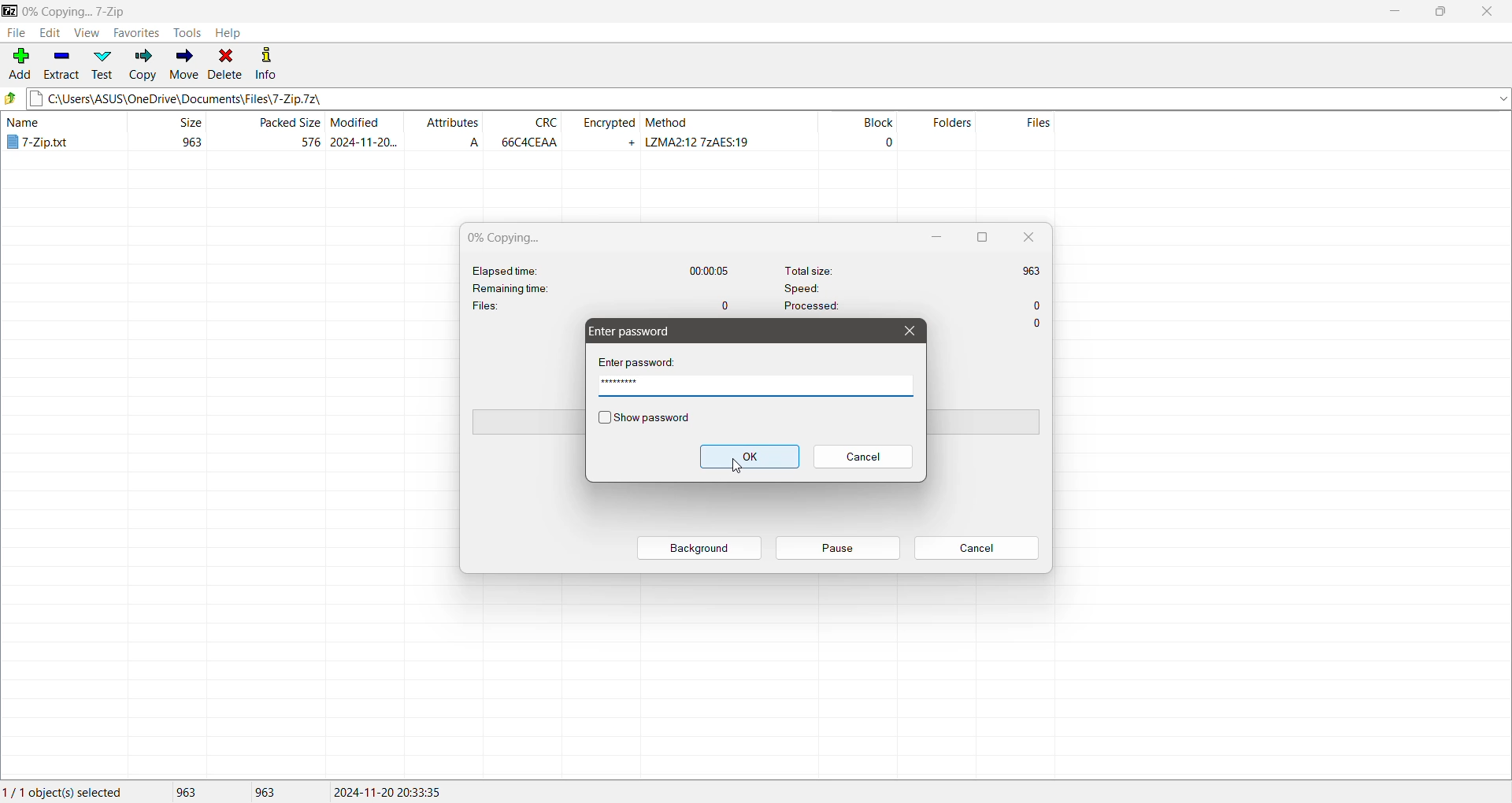 The height and width of the screenshot is (803, 1512). I want to click on Move, so click(184, 62).